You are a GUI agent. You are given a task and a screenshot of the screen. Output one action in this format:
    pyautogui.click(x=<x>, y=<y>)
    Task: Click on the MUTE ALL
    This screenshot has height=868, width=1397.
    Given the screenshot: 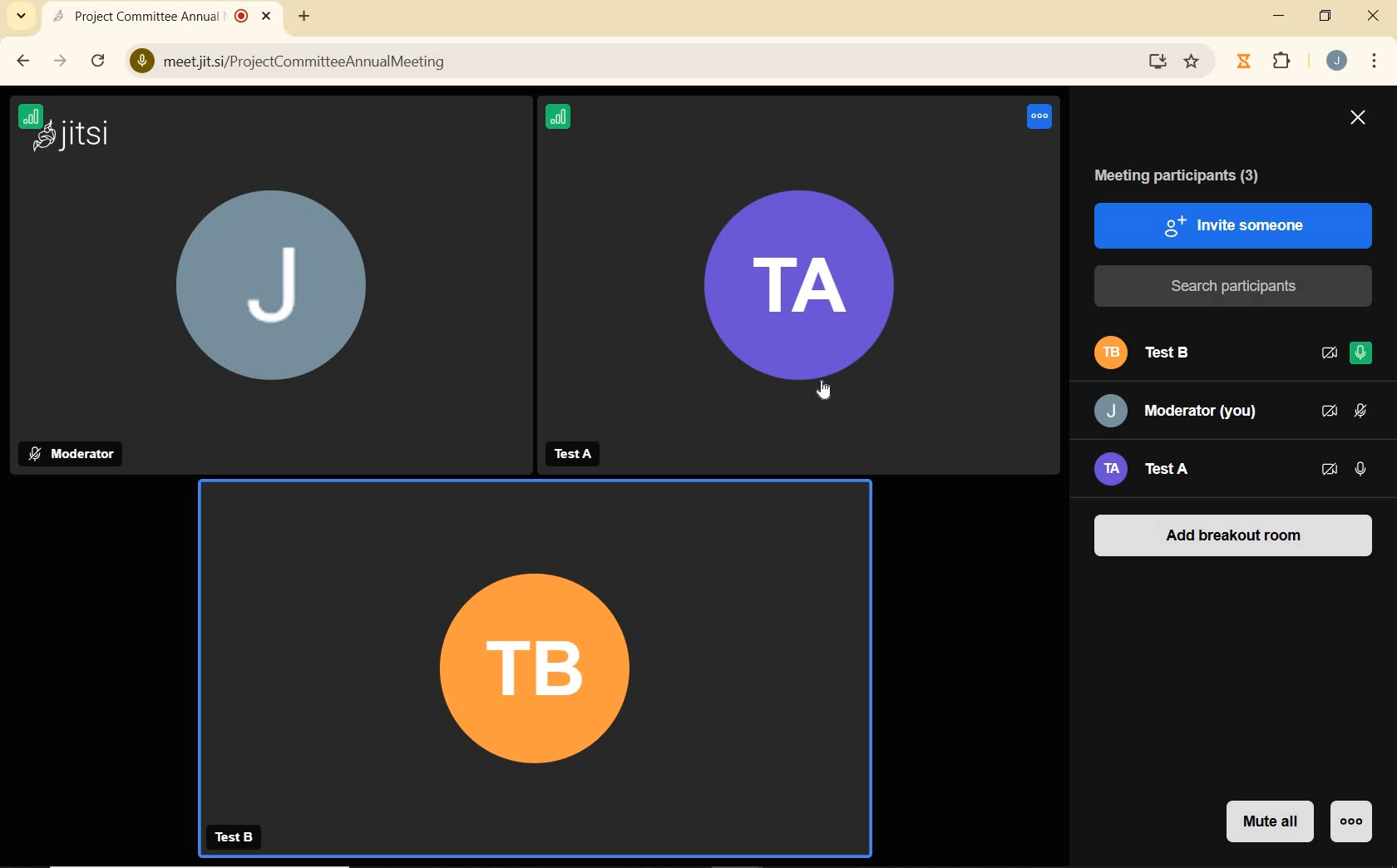 What is the action you would take?
    pyautogui.click(x=1266, y=824)
    